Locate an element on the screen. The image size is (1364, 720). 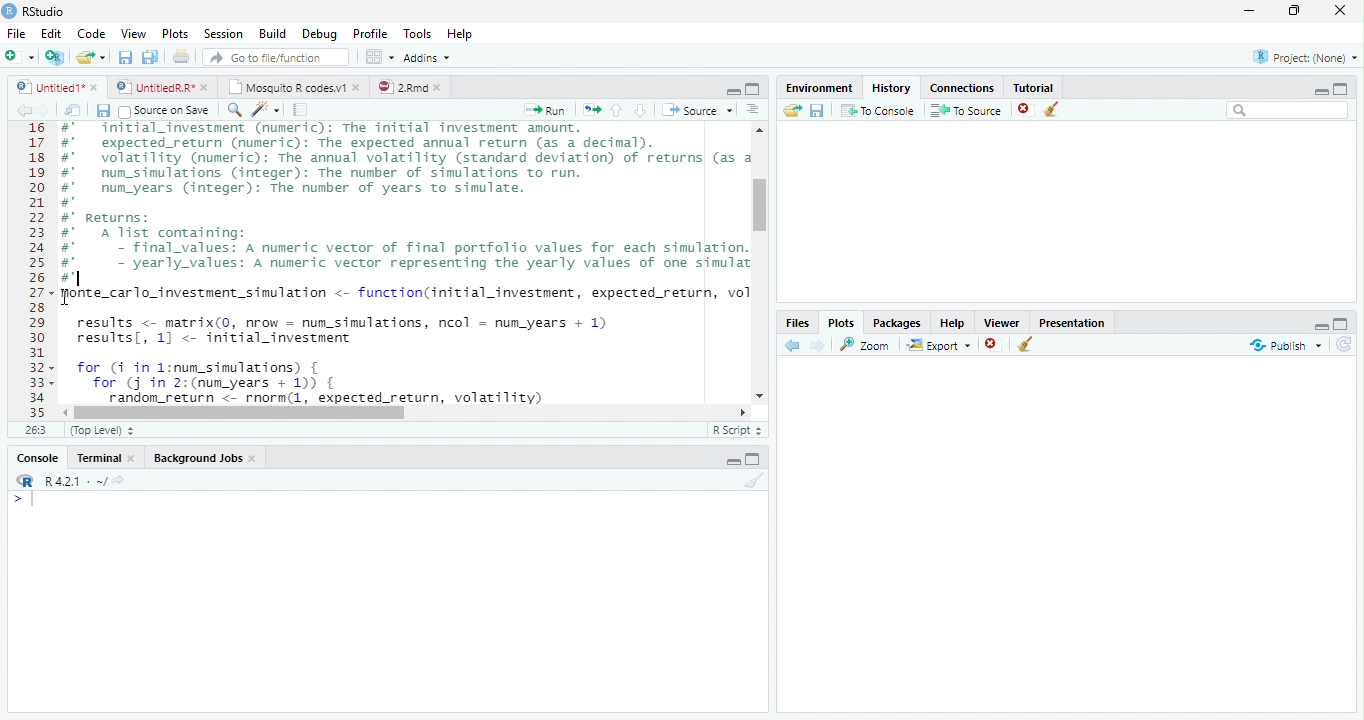
Source on save is located at coordinates (166, 111).